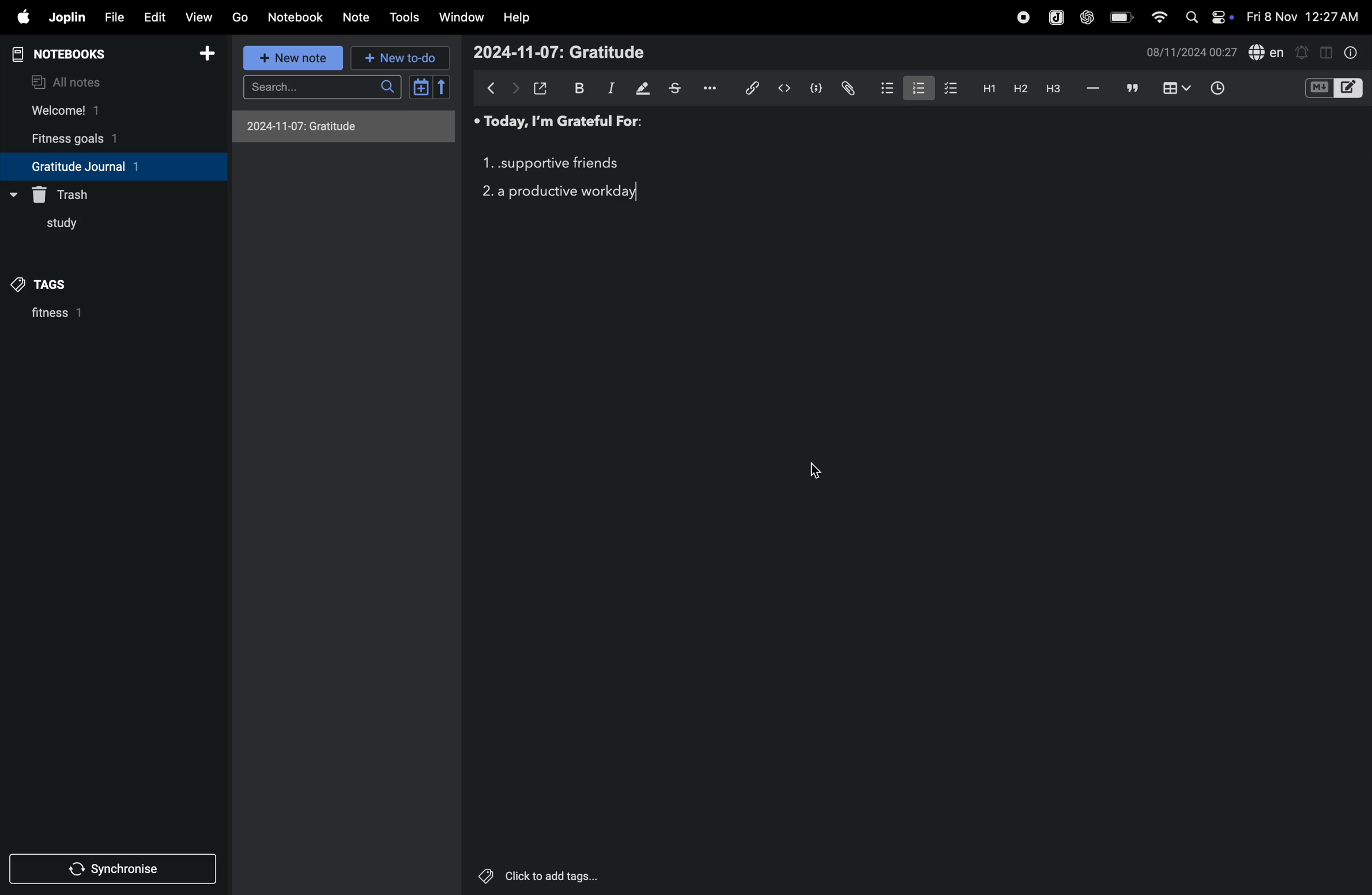 The height and width of the screenshot is (895, 1372). I want to click on bullet list, so click(882, 88).